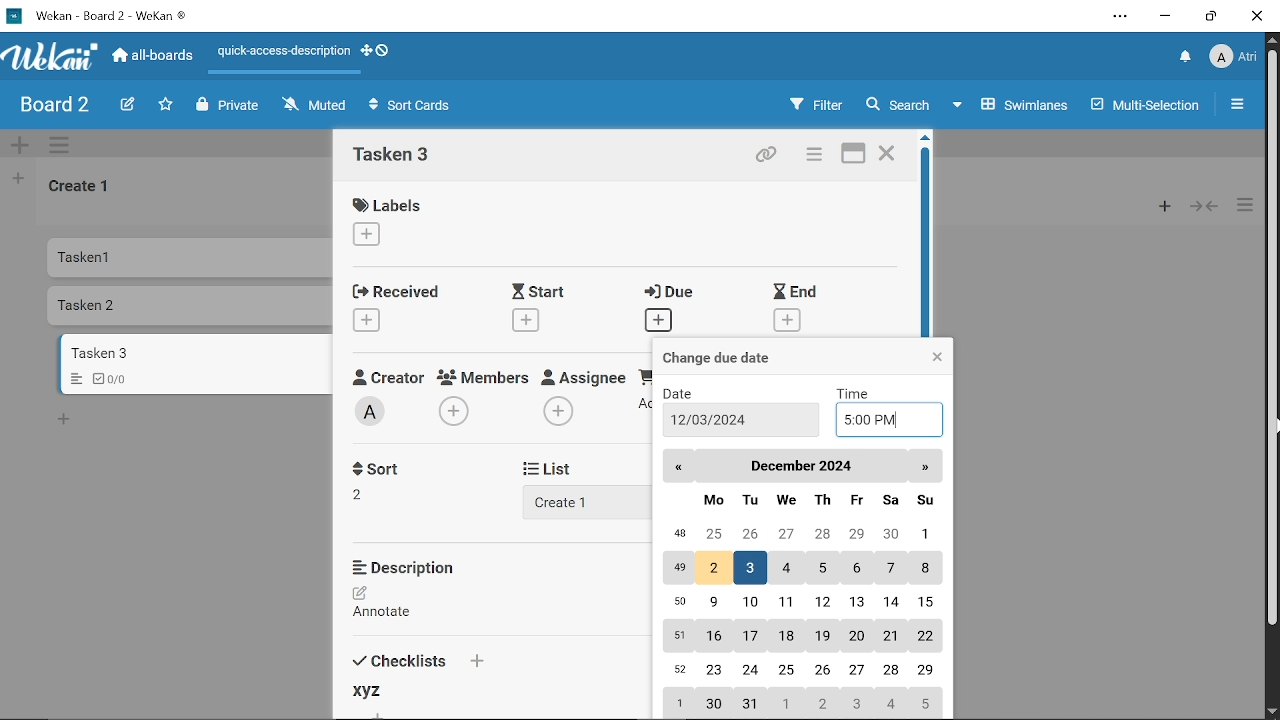 This screenshot has width=1280, height=720. What do you see at coordinates (192, 257) in the screenshot?
I see `Card titled " Tasken 1"` at bounding box center [192, 257].